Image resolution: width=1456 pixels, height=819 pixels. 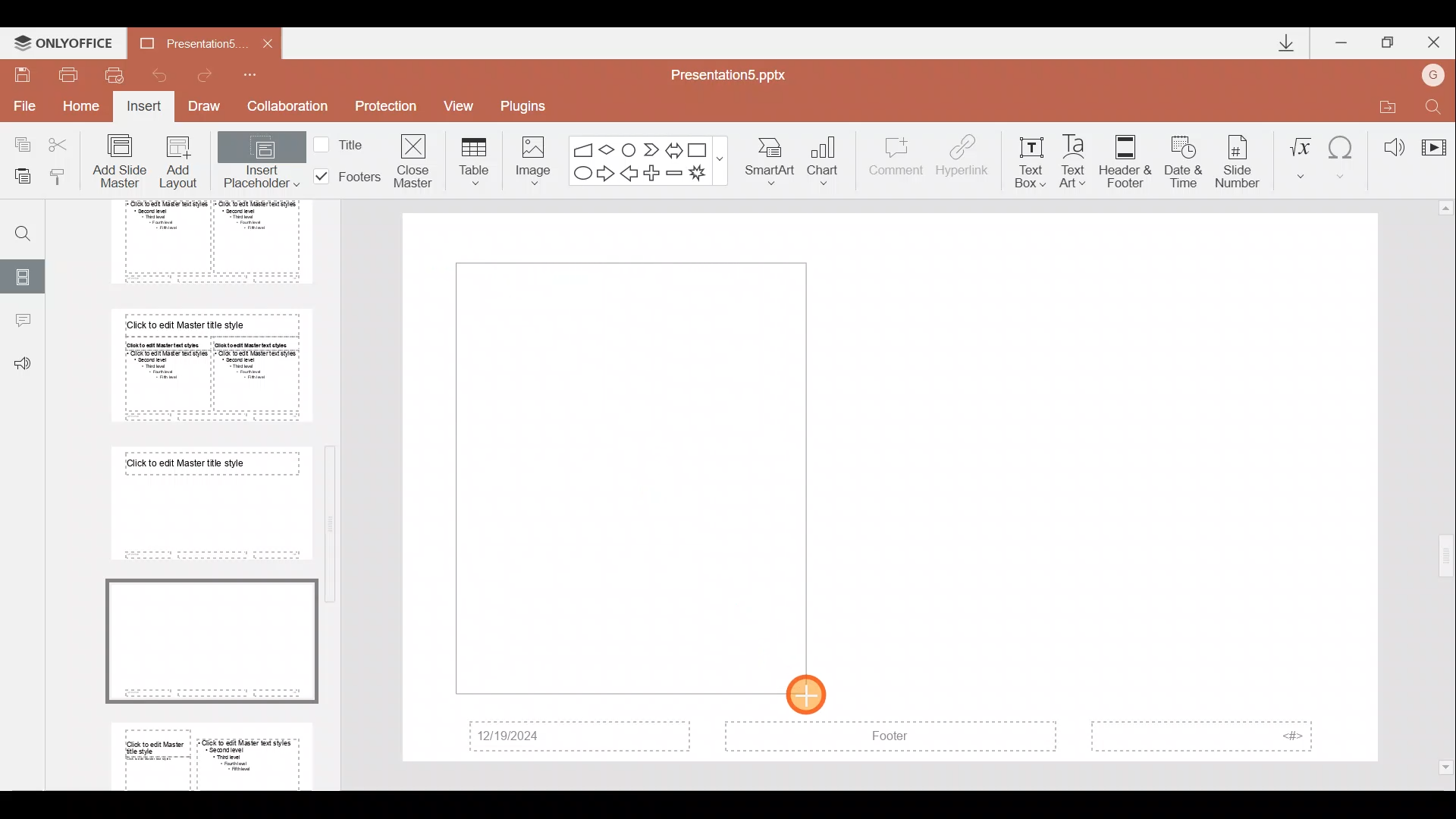 What do you see at coordinates (1435, 104) in the screenshot?
I see `Find` at bounding box center [1435, 104].